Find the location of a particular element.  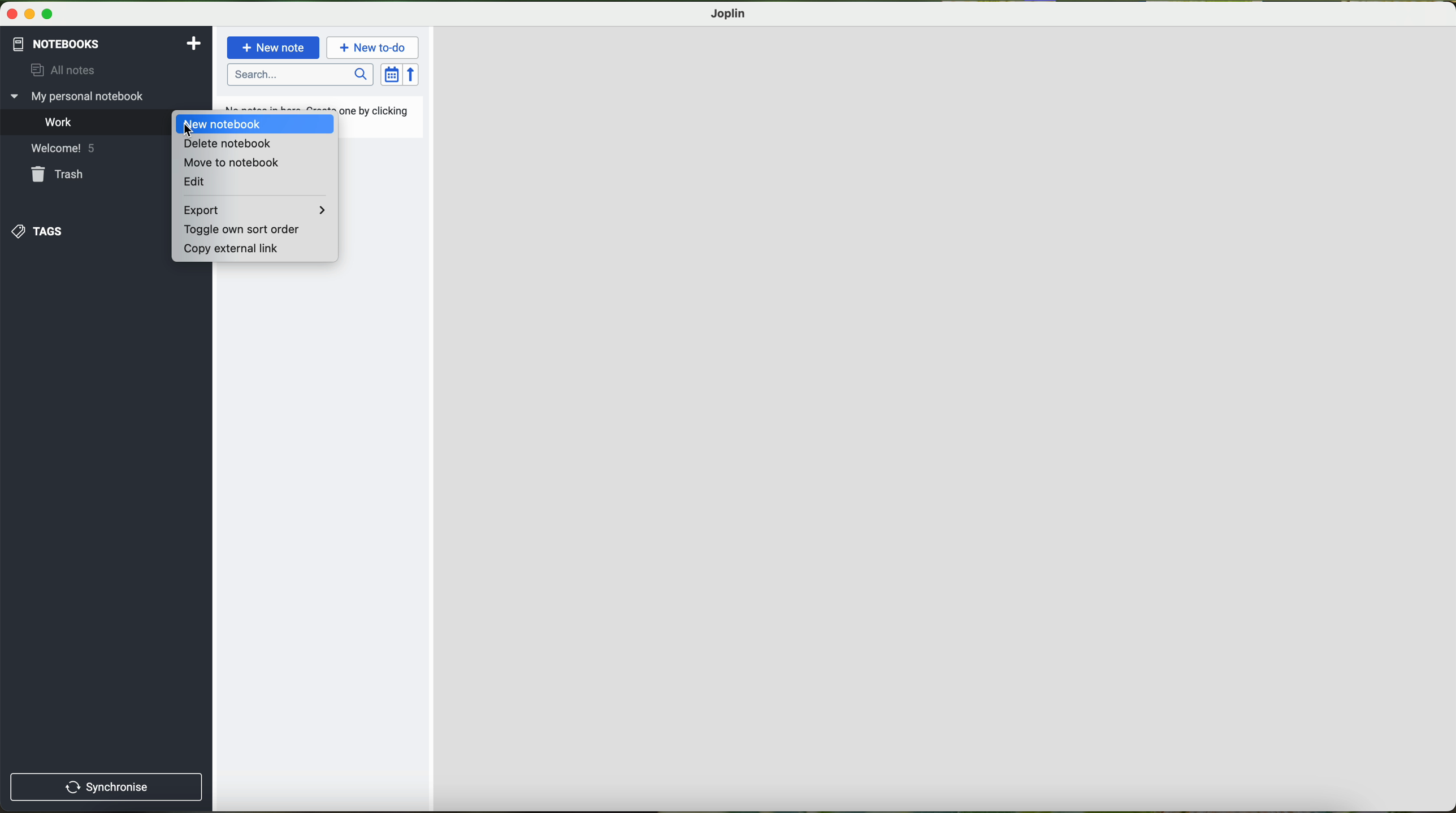

maximize is located at coordinates (47, 15).